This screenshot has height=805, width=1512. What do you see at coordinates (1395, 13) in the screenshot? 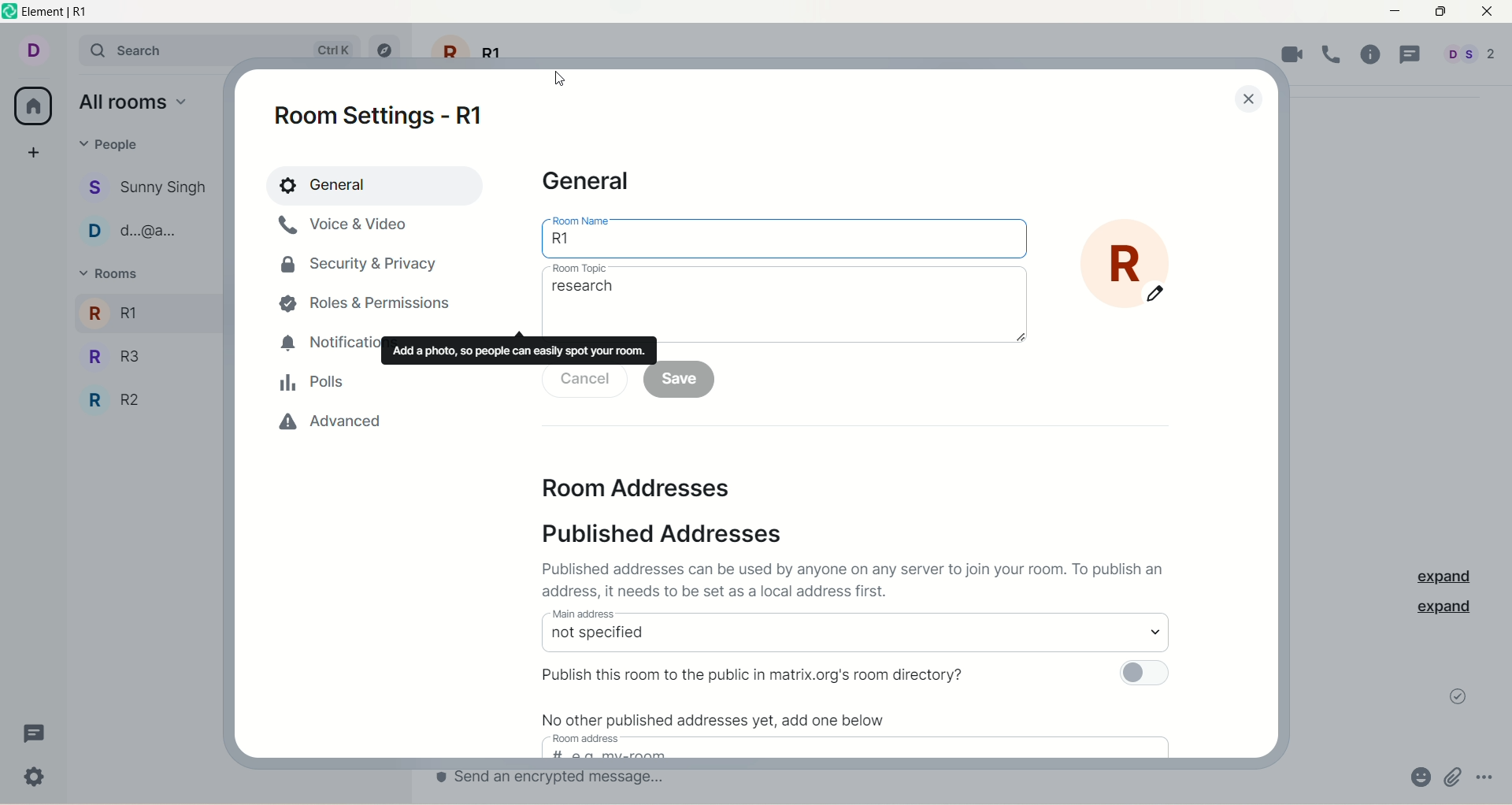
I see `minimize` at bounding box center [1395, 13].